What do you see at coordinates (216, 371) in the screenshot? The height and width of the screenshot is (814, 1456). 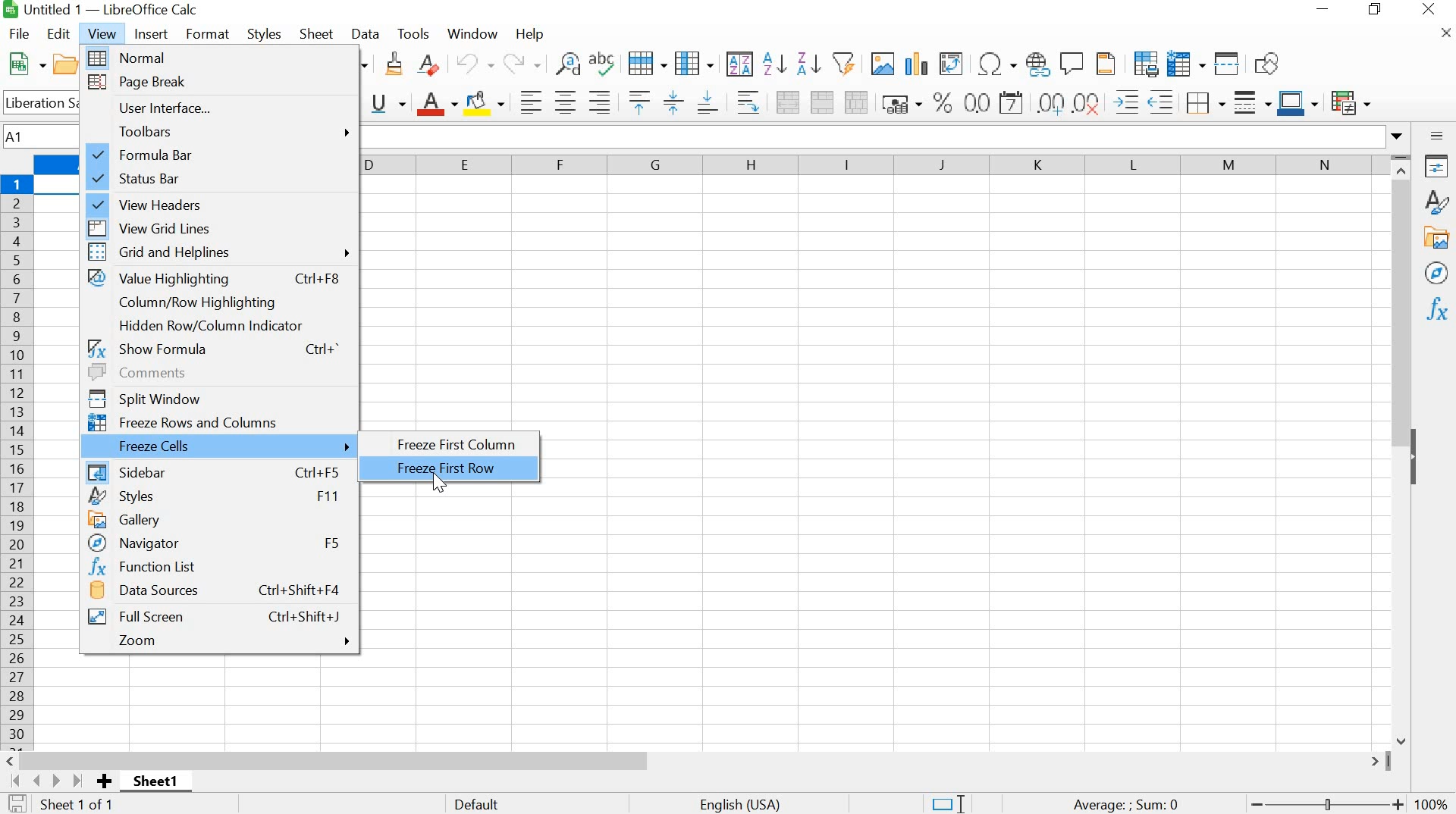 I see `COMMENTS` at bounding box center [216, 371].